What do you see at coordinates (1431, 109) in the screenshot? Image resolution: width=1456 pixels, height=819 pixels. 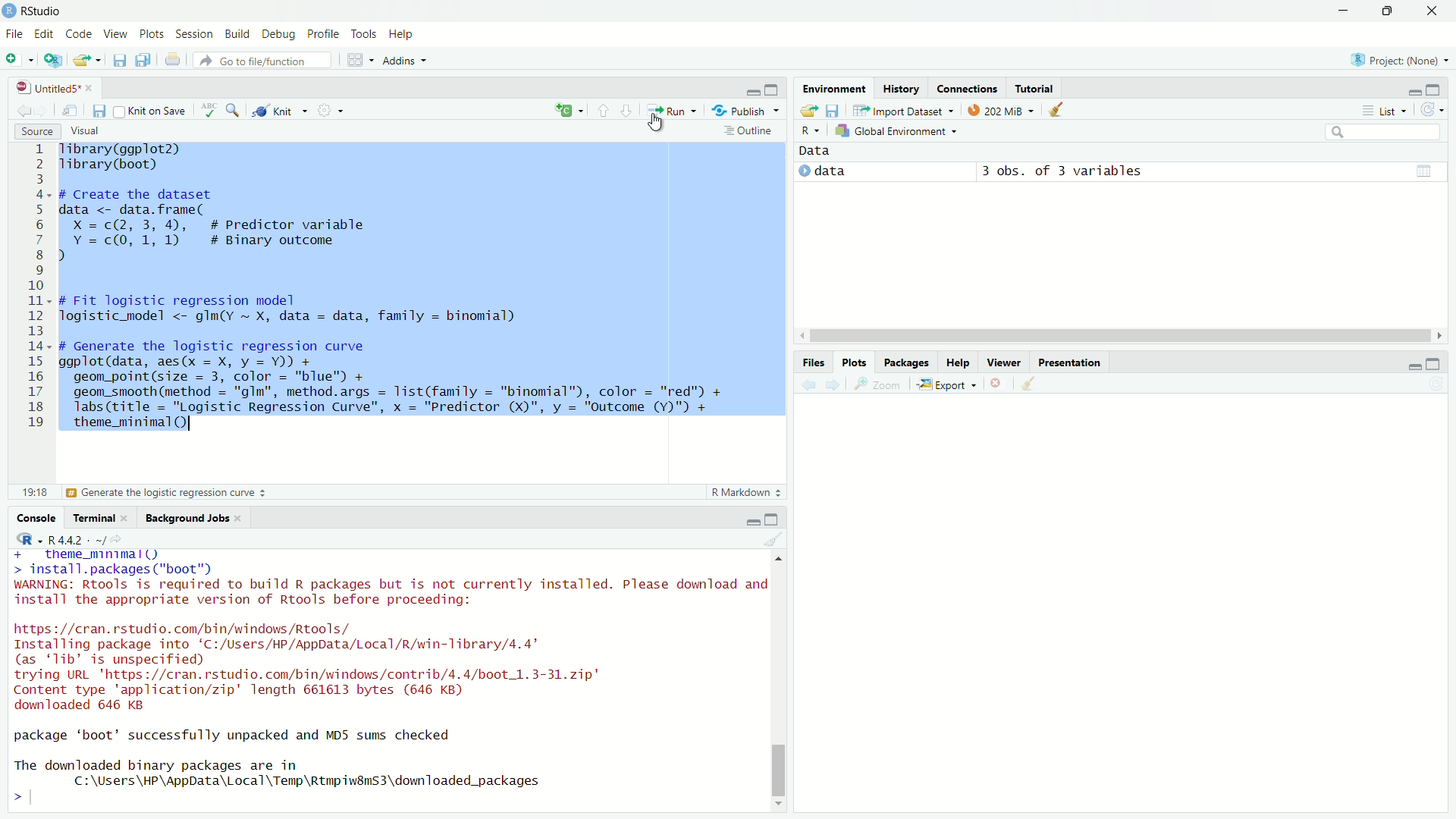 I see `Refresh the list of objects in the environment` at bounding box center [1431, 109].